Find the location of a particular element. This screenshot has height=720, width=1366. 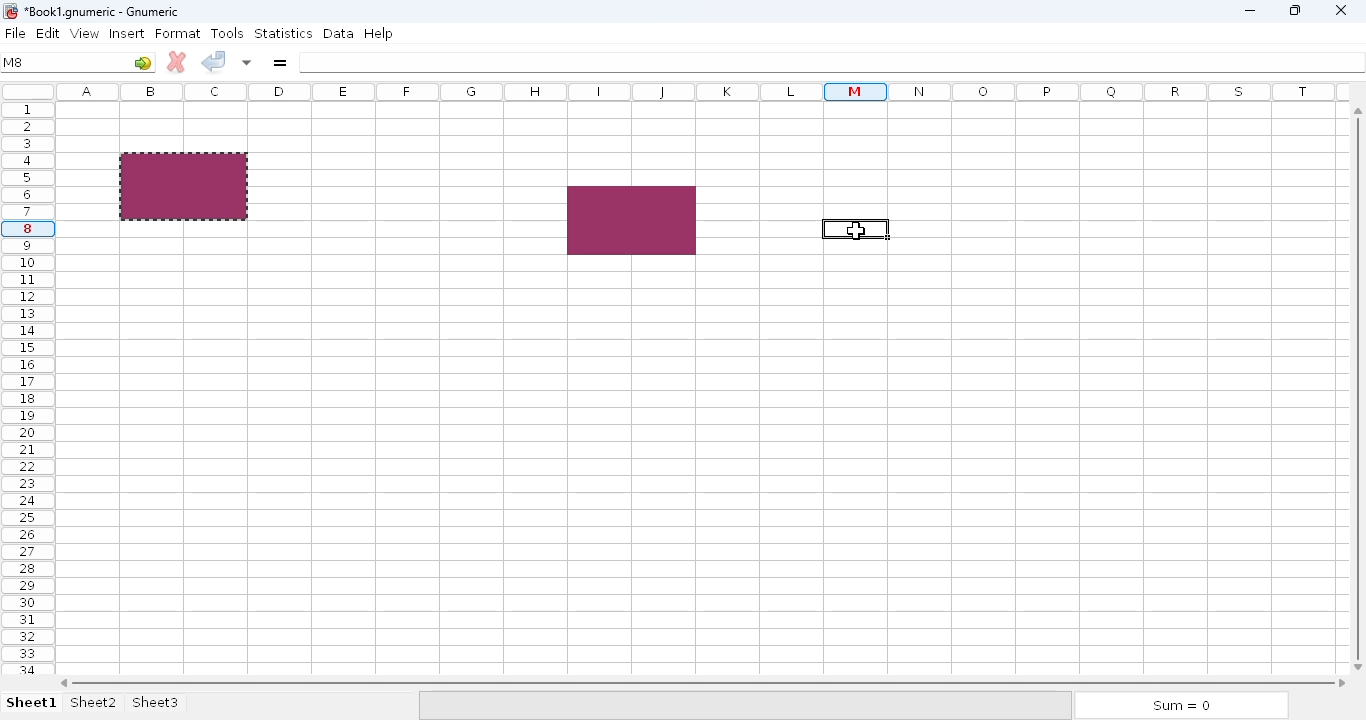

formula bar is located at coordinates (832, 61).